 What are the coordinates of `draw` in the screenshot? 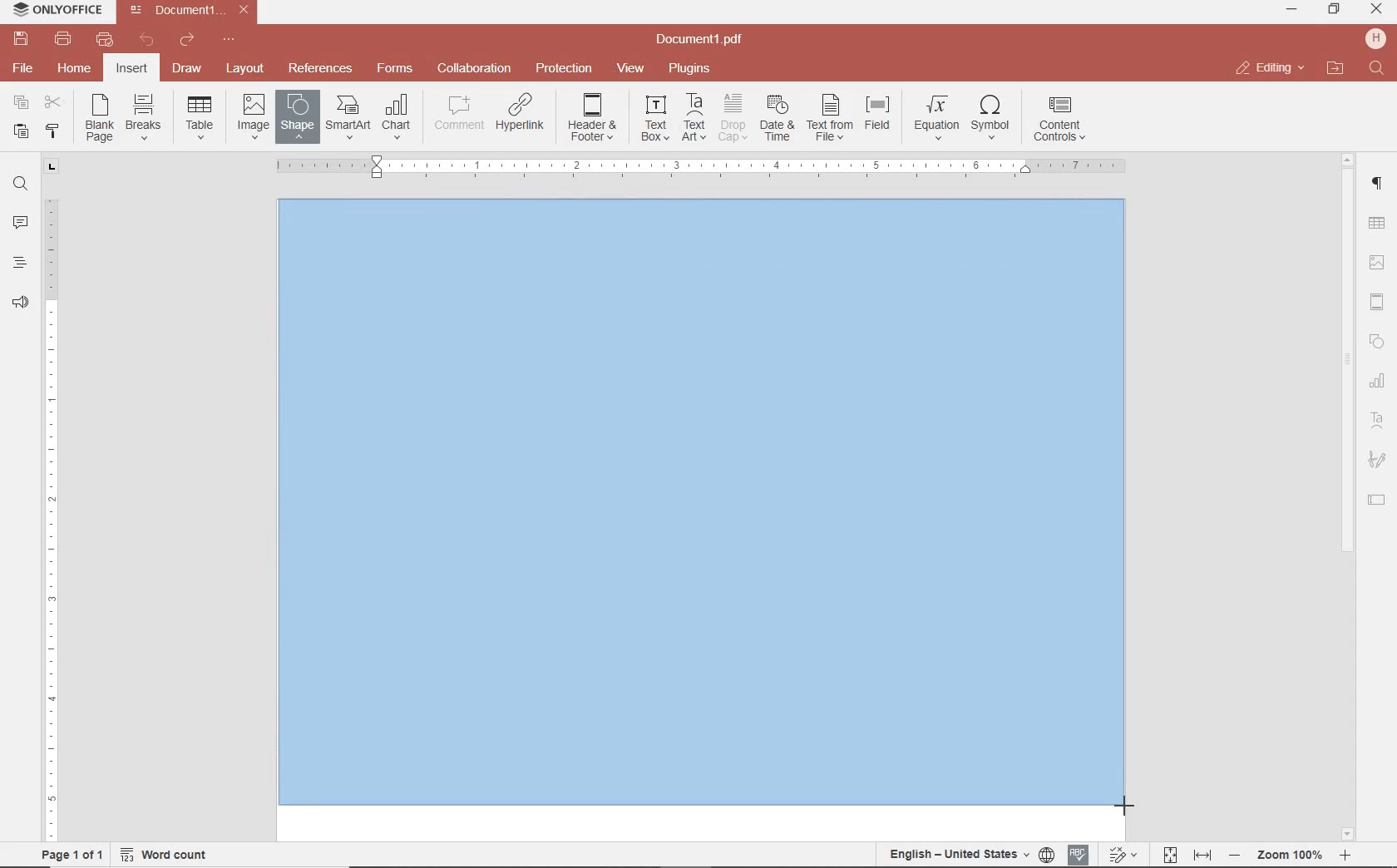 It's located at (188, 67).